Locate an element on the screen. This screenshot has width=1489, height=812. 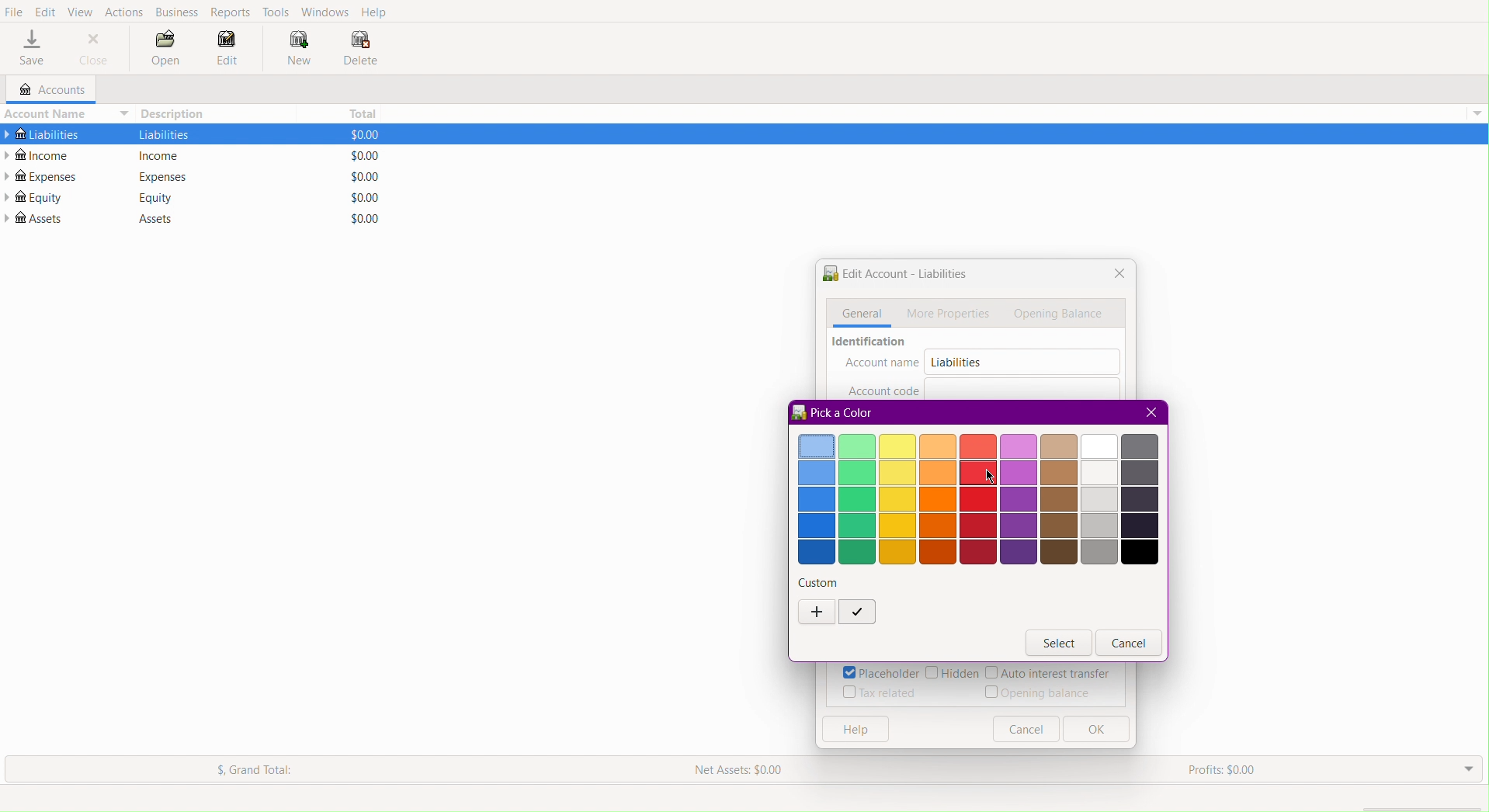
Account name is located at coordinates (882, 364).